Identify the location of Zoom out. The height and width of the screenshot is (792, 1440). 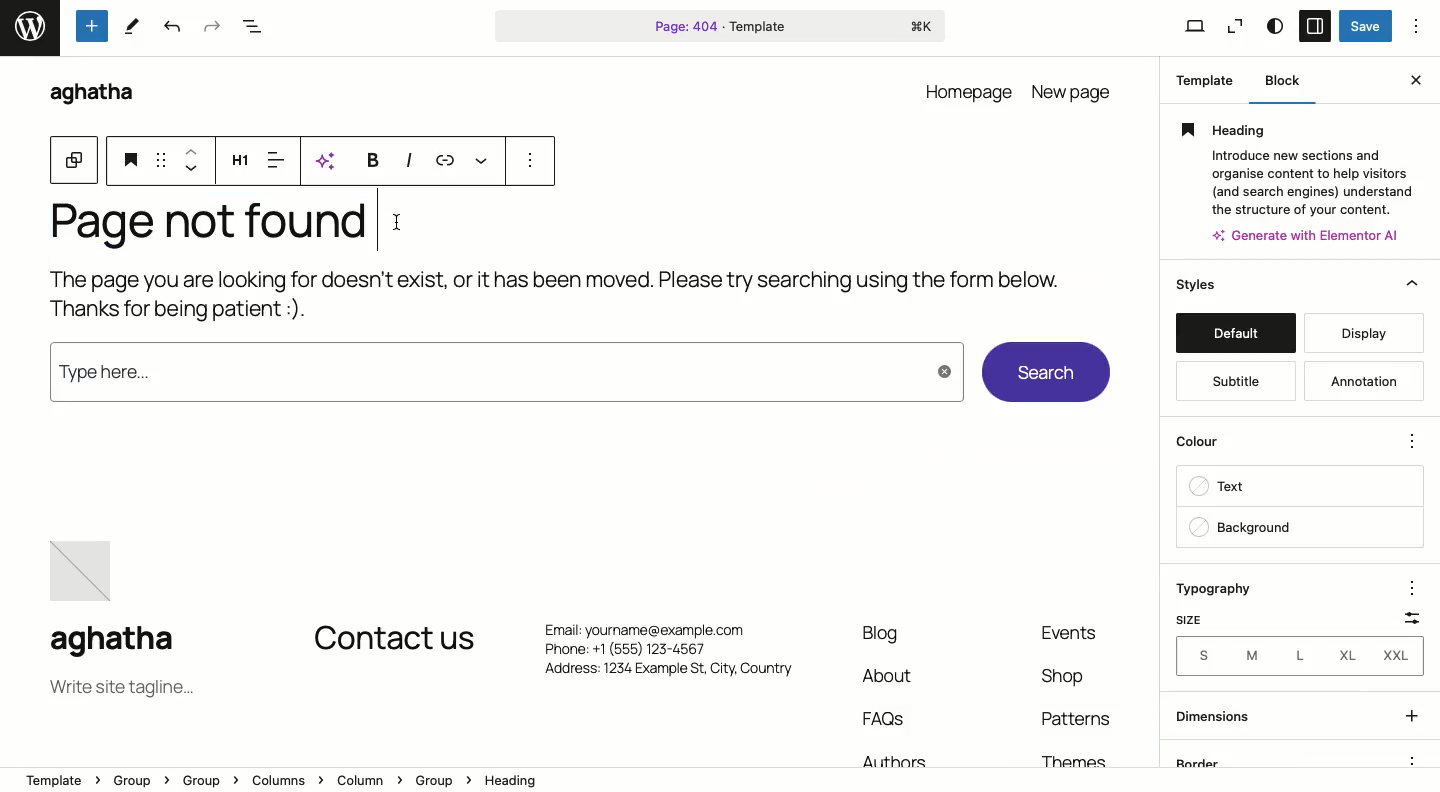
(1237, 25).